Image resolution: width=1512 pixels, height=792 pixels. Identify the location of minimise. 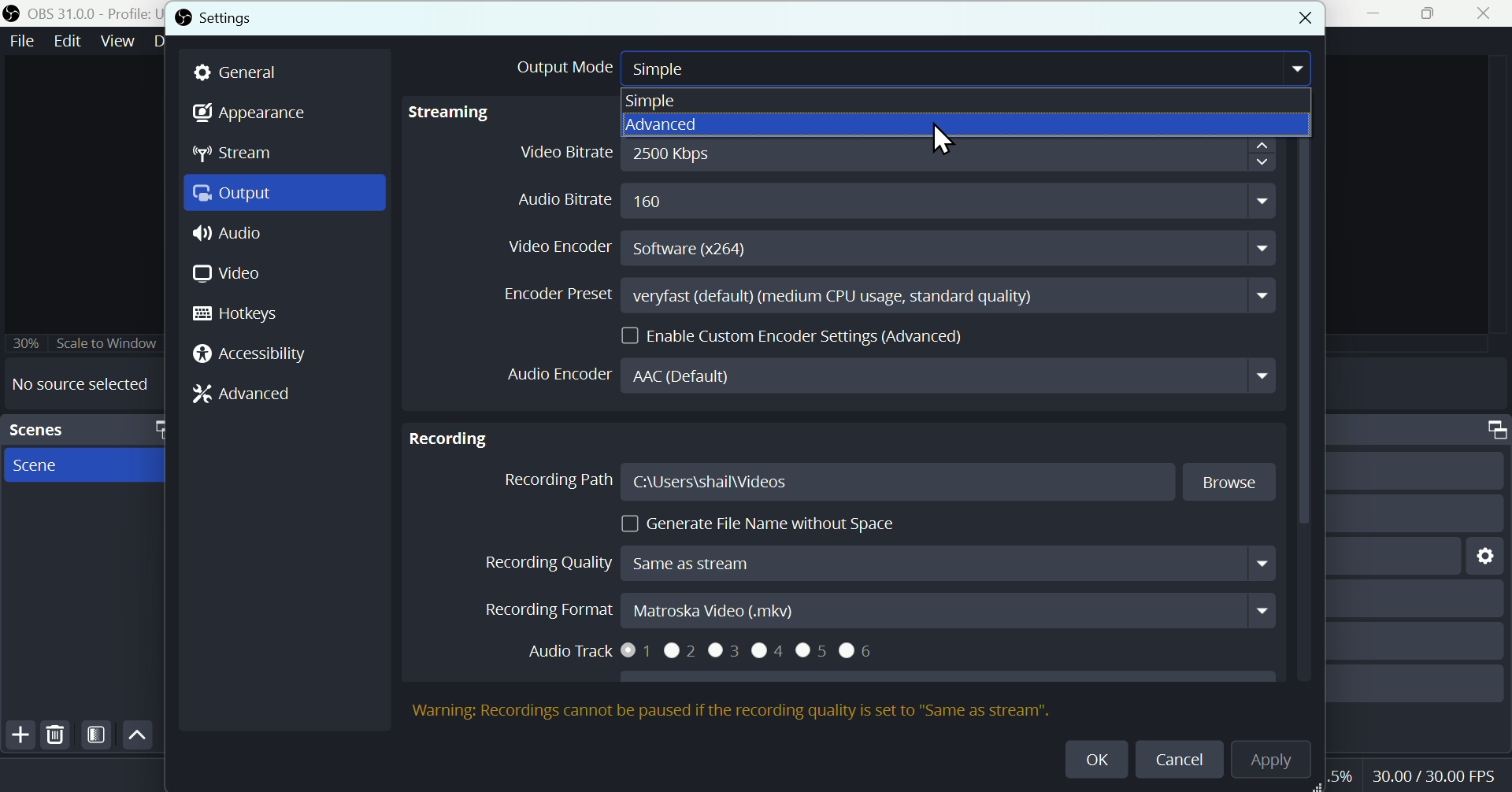
(1368, 13).